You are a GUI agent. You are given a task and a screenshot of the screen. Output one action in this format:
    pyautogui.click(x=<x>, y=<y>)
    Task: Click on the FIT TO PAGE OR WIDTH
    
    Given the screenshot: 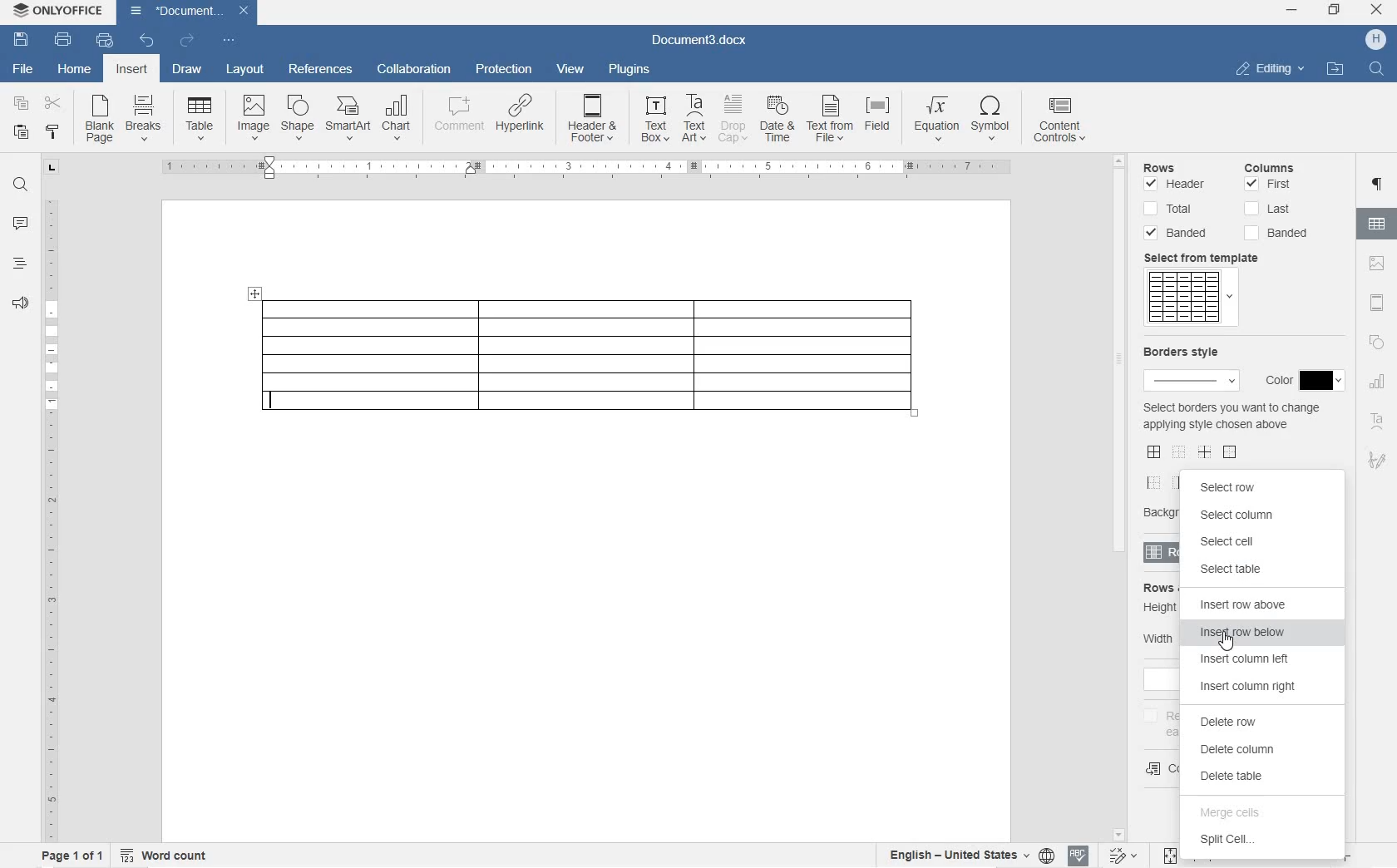 What is the action you would take?
    pyautogui.click(x=1167, y=857)
    